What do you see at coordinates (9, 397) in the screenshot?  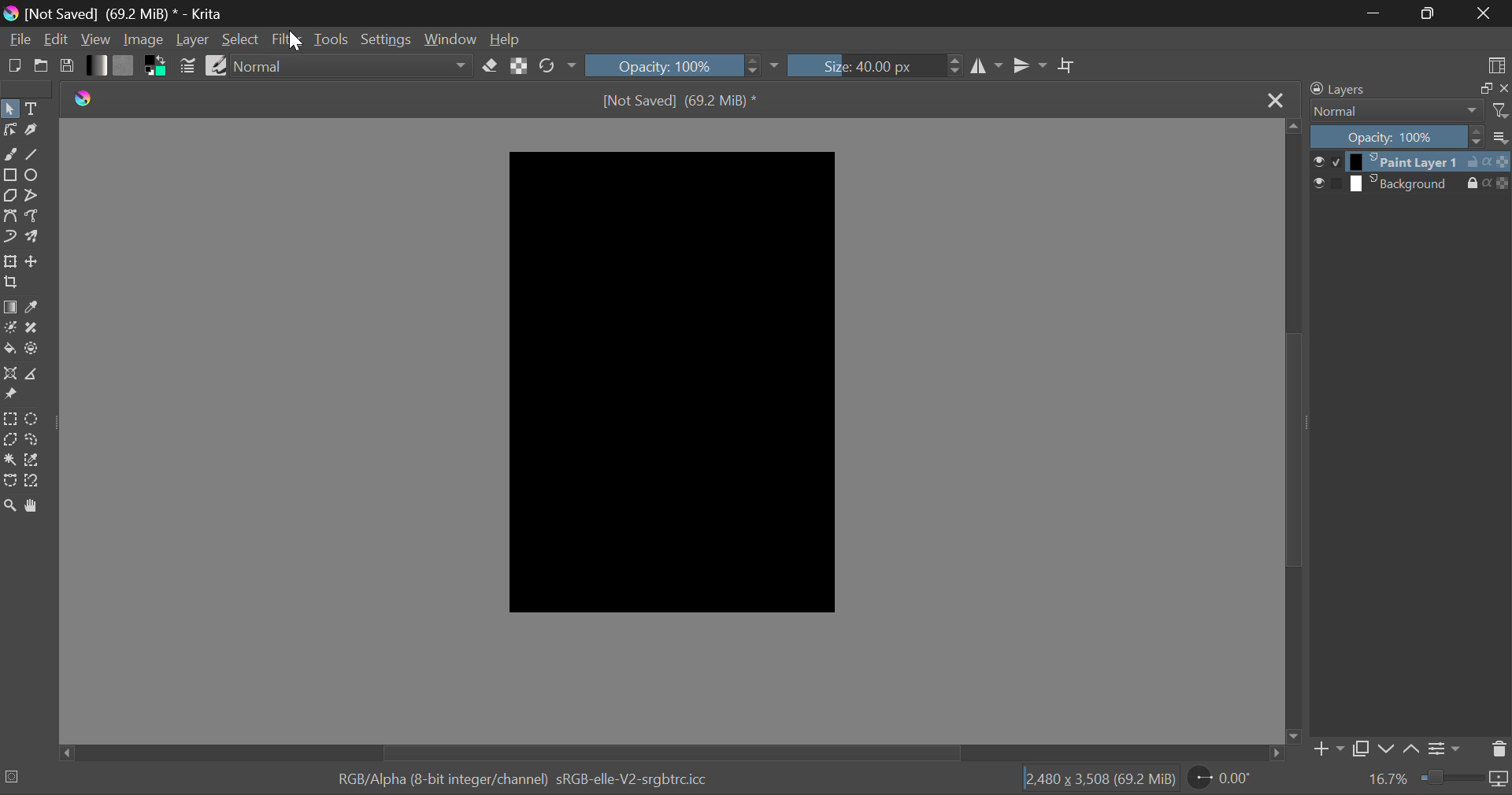 I see `Reference Images` at bounding box center [9, 397].